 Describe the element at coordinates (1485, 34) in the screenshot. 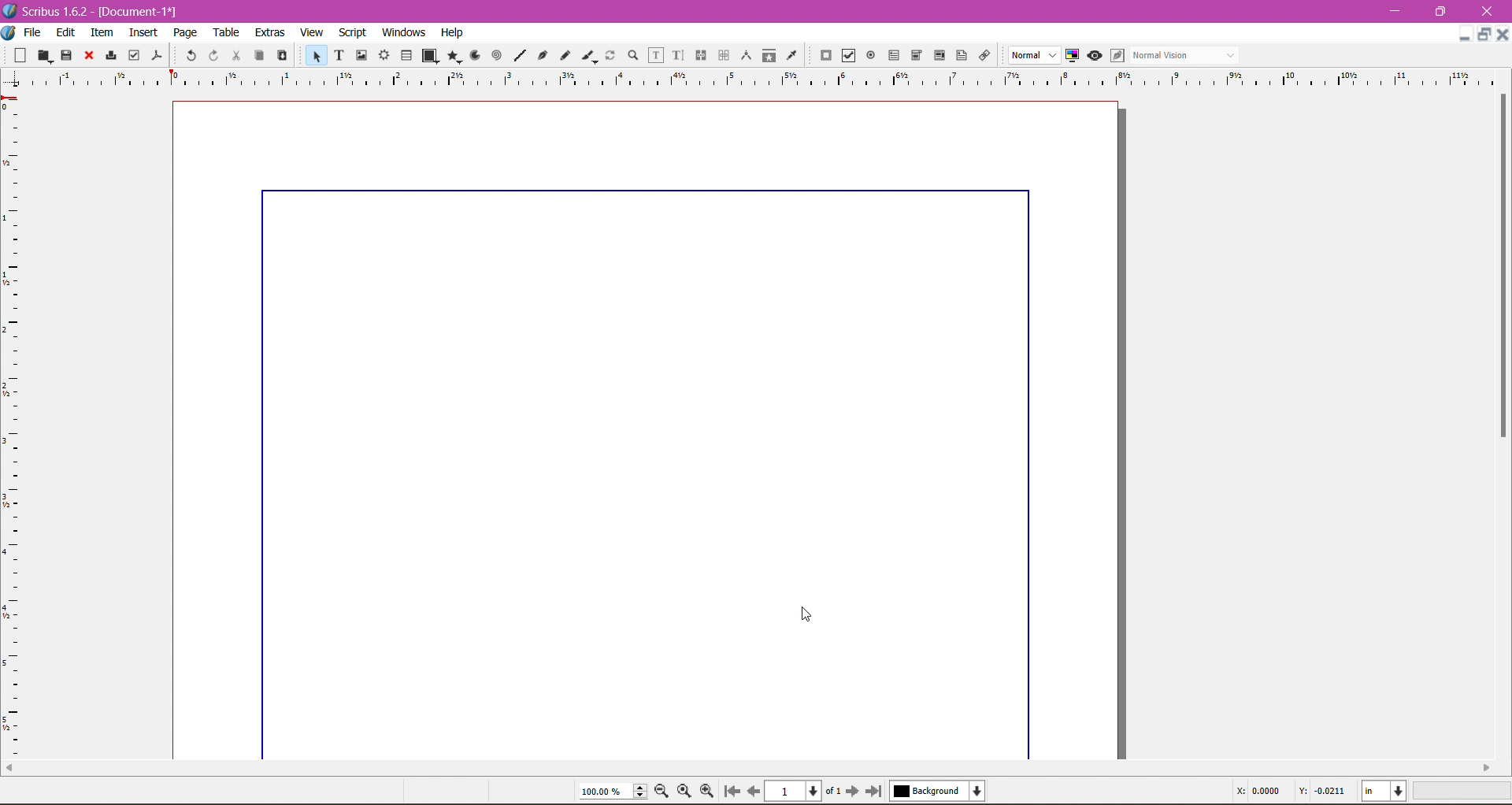

I see `Restore Down Document` at that location.